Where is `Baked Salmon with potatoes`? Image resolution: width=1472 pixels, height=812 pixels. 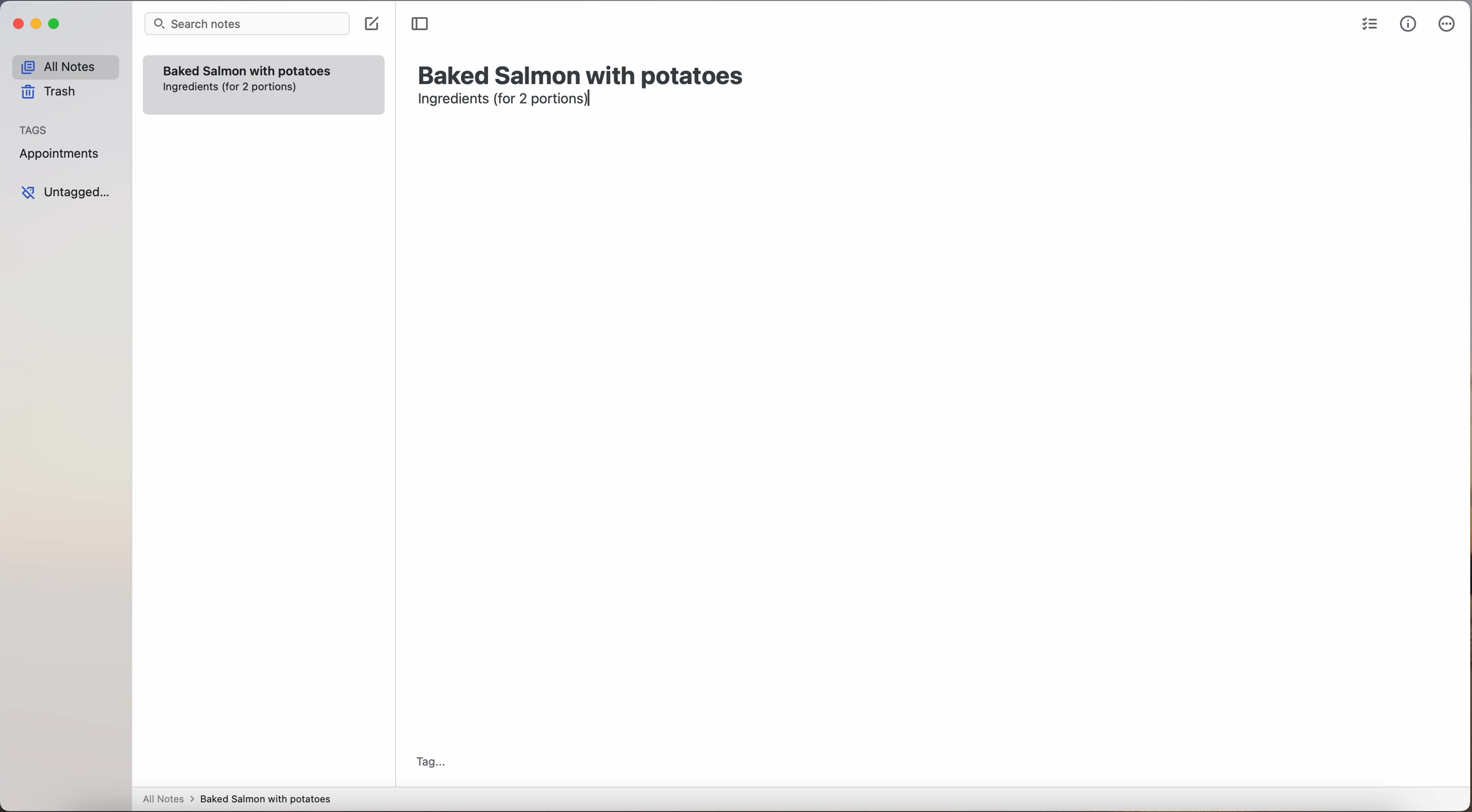
Baked Salmon with potatoes is located at coordinates (247, 69).